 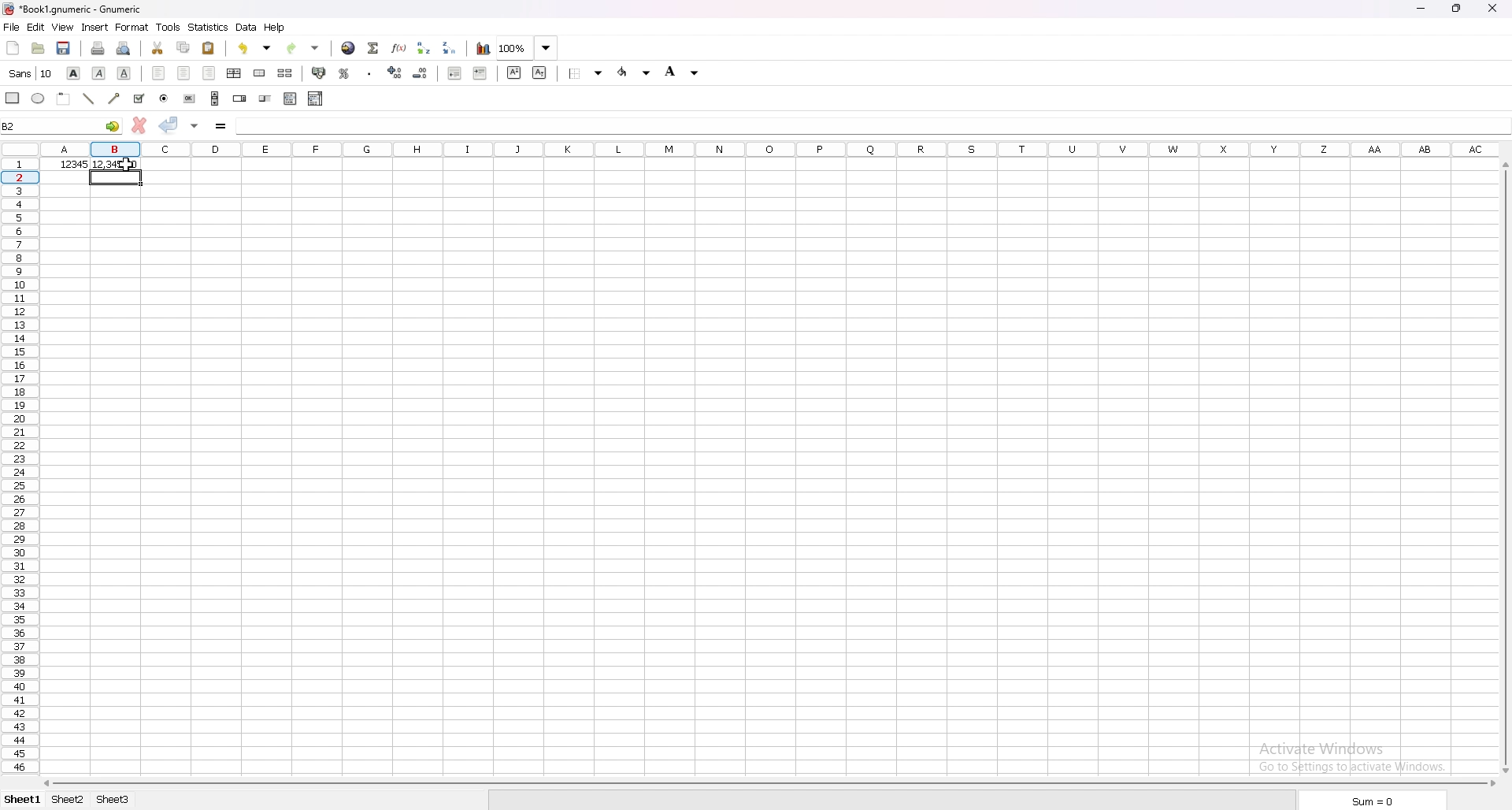 I want to click on decrease decimals, so click(x=421, y=73).